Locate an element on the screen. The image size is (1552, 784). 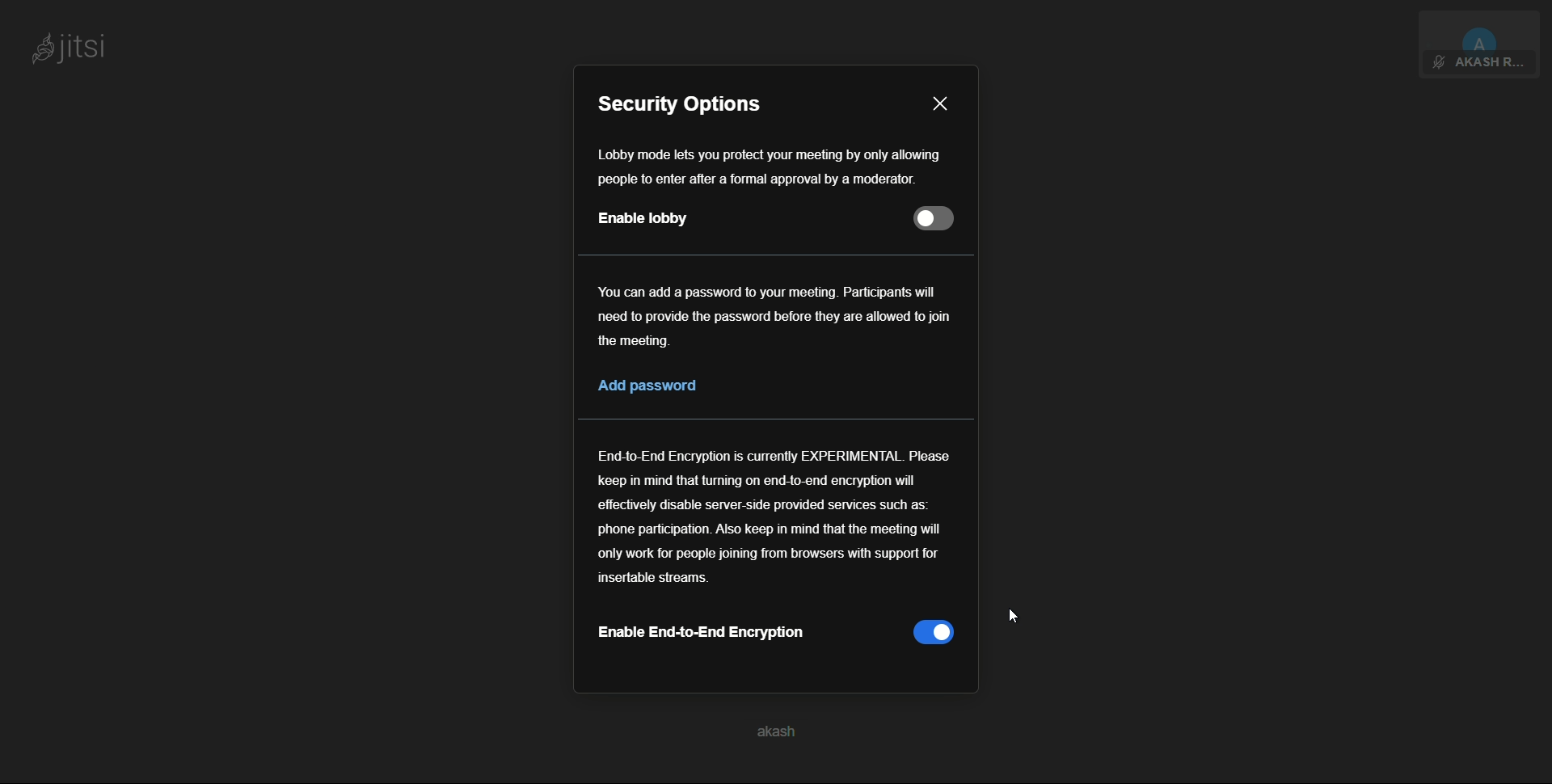
‘You can add a password fo your meeting. Participants will
need to provide the password before they are allowed to join
the meeting. is located at coordinates (771, 318).